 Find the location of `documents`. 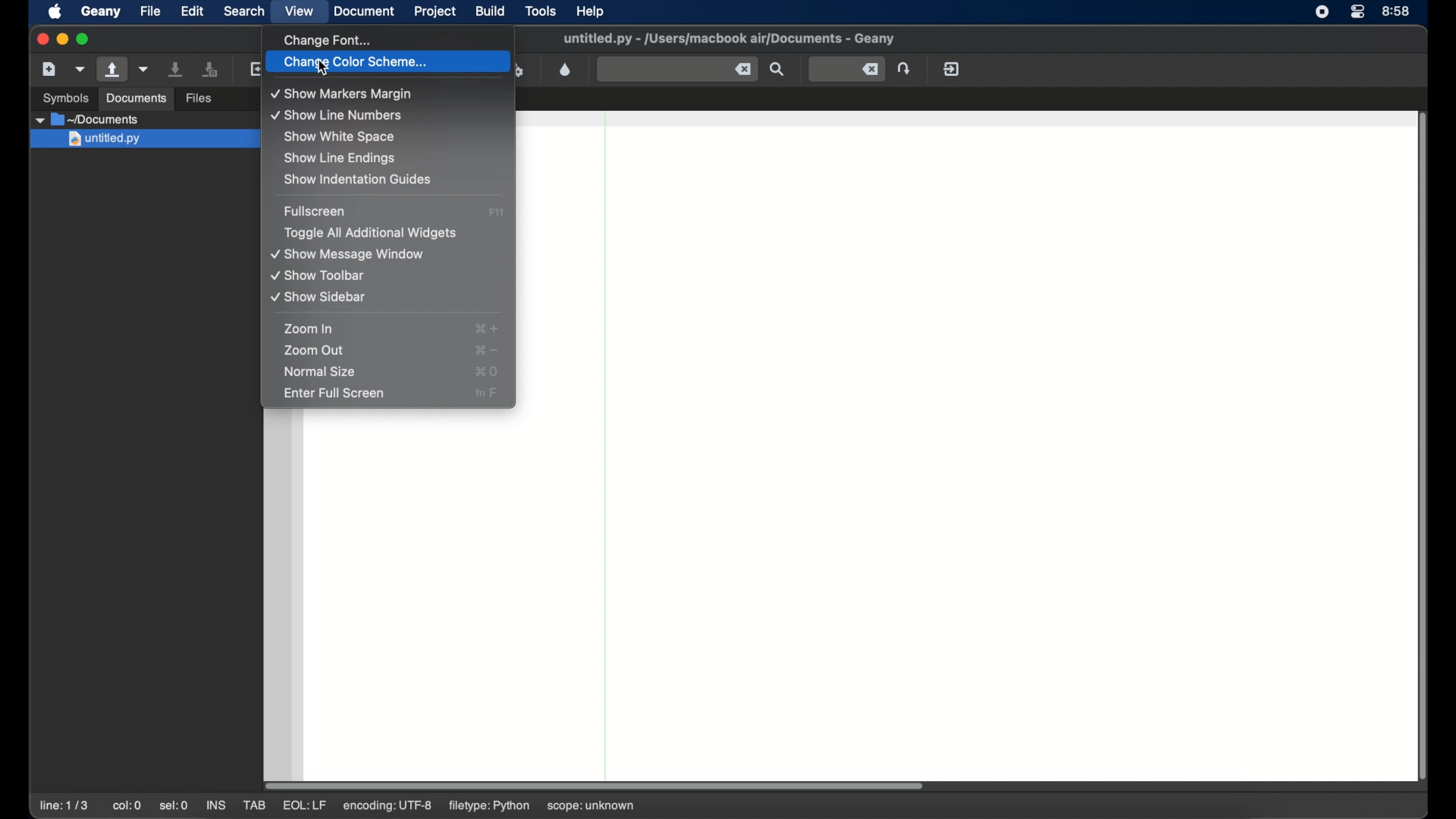

documents is located at coordinates (136, 99).